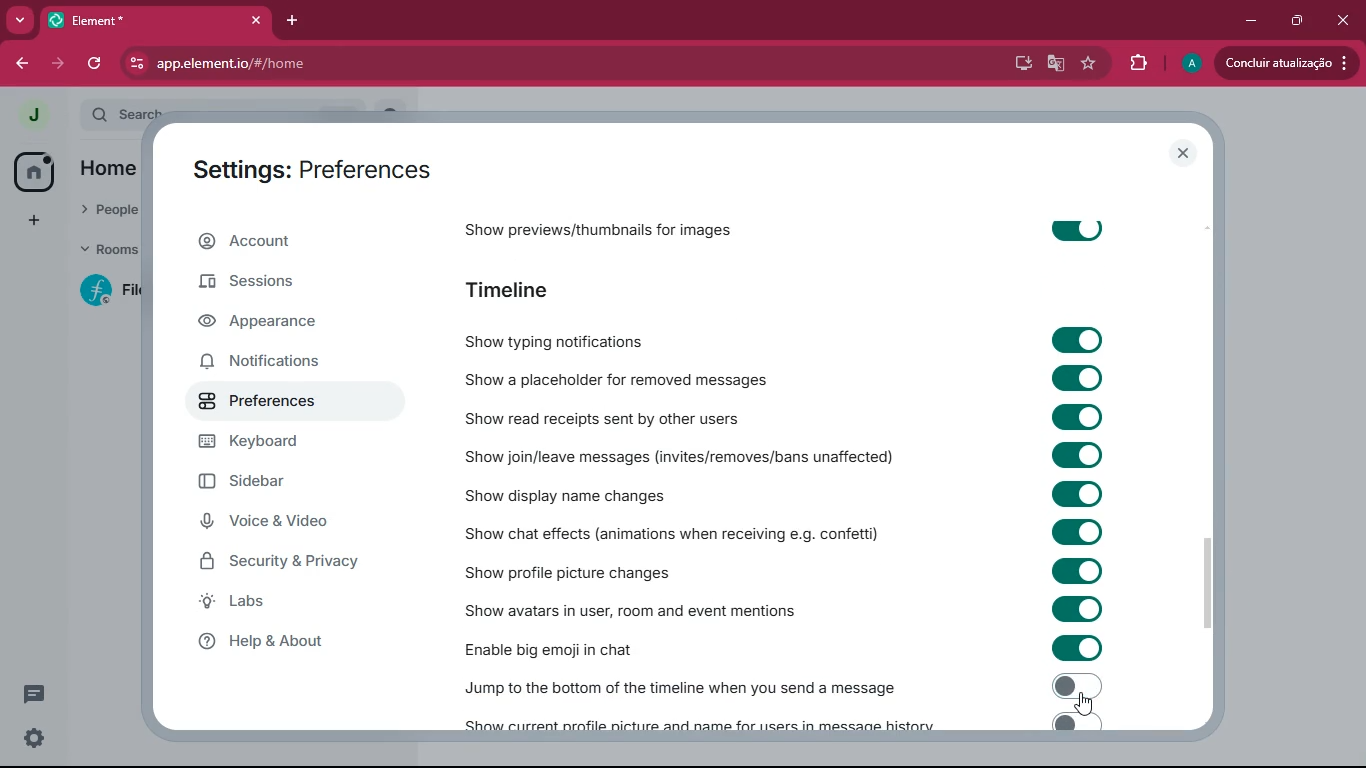 The width and height of the screenshot is (1366, 768). Describe the element at coordinates (638, 608) in the screenshot. I see `show avatars in user, room and event mentions` at that location.